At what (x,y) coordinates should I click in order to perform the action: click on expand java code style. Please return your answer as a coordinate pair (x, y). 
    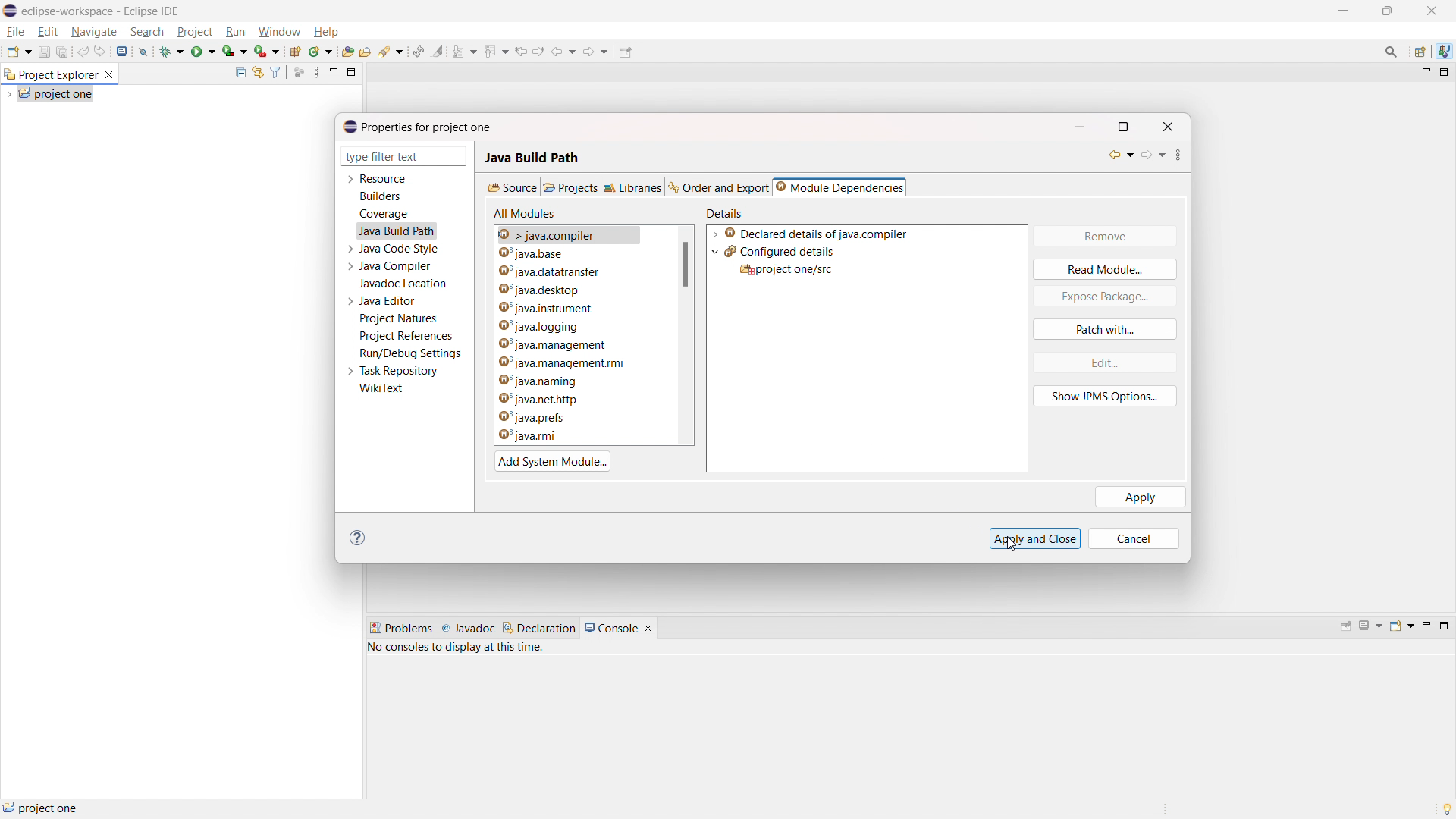
    Looking at the image, I should click on (350, 247).